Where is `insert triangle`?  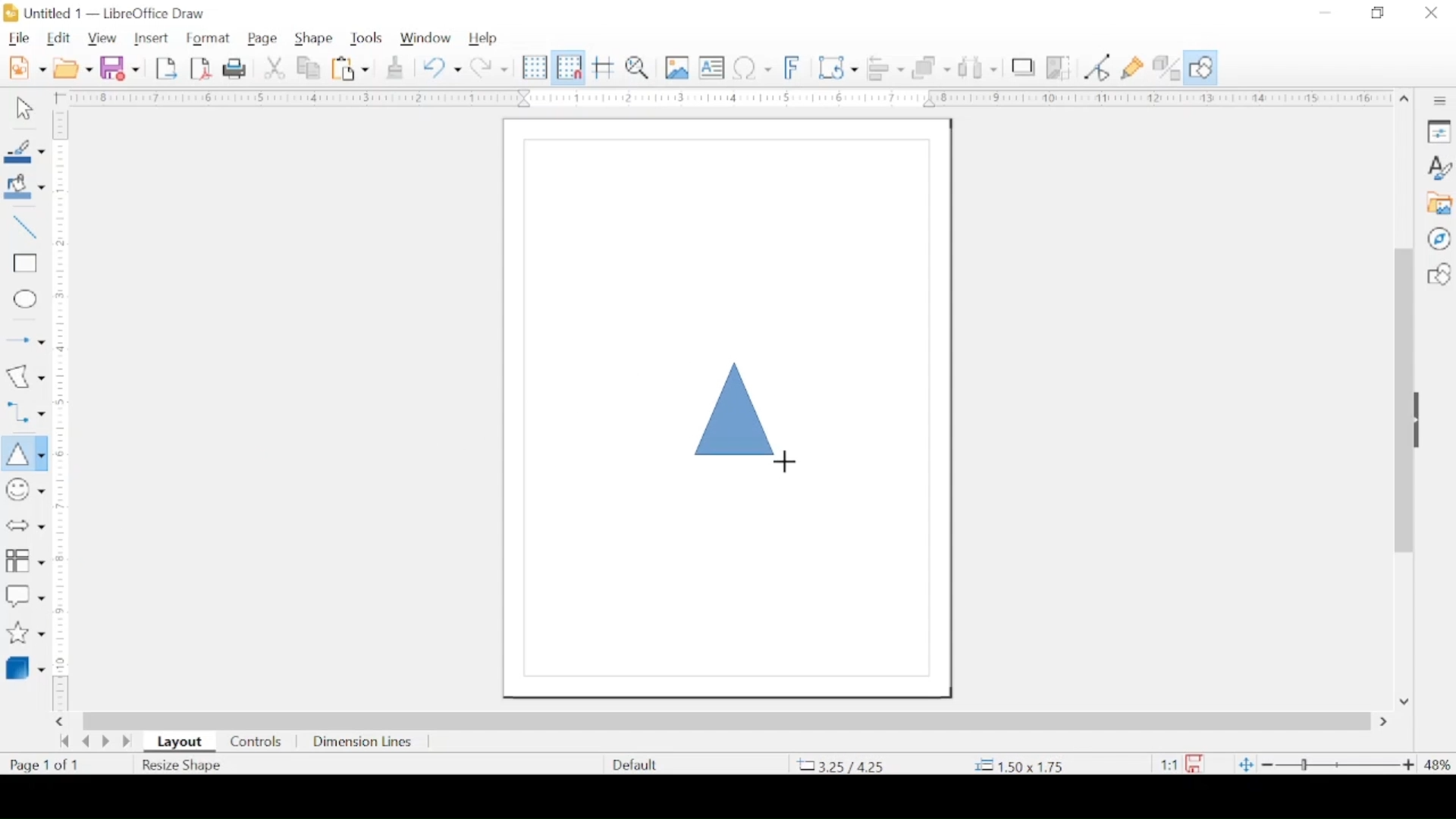
insert triangle is located at coordinates (22, 452).